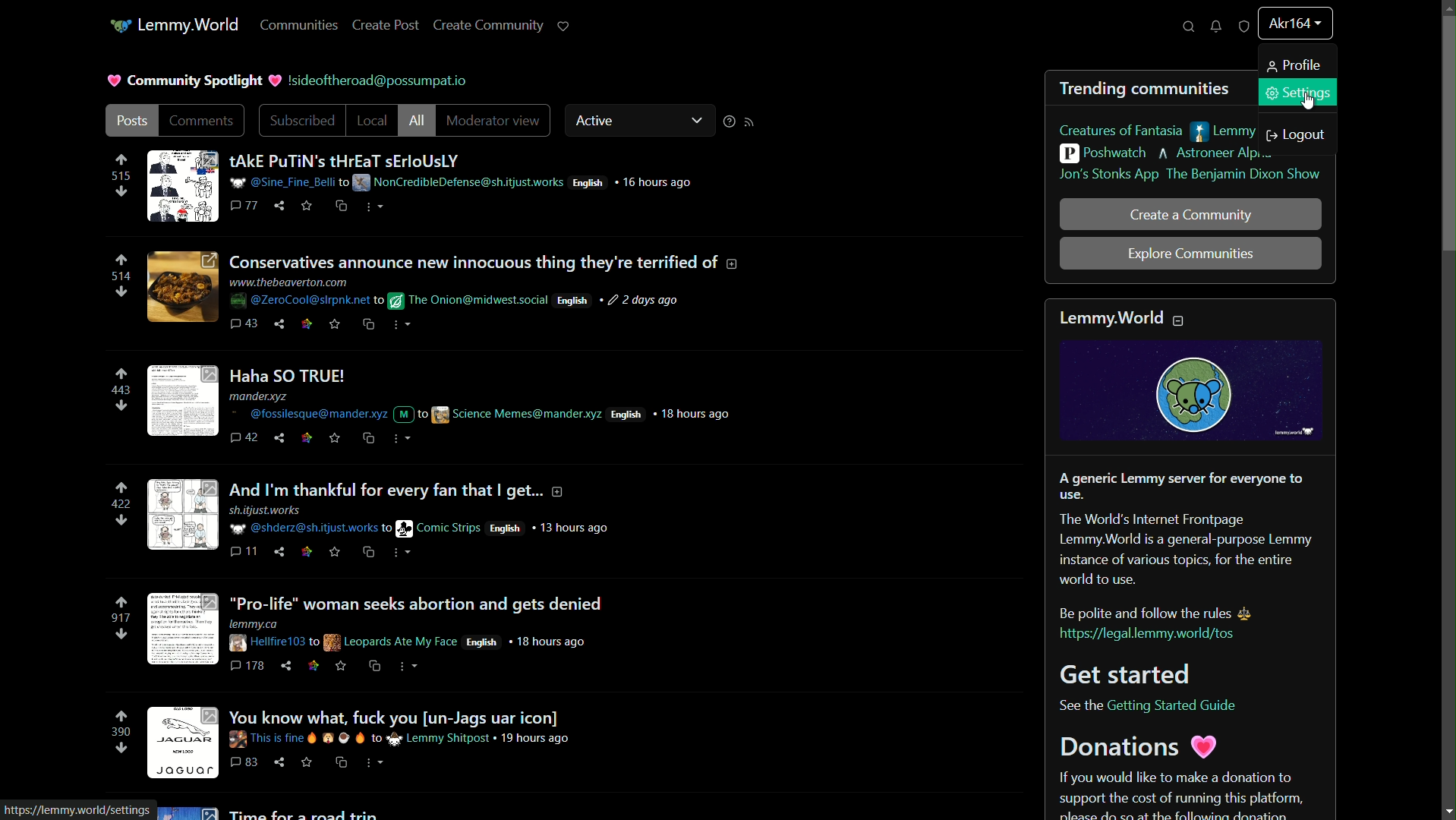 This screenshot has width=1456, height=820. What do you see at coordinates (1120, 132) in the screenshot?
I see `creatures of fantasia` at bounding box center [1120, 132].